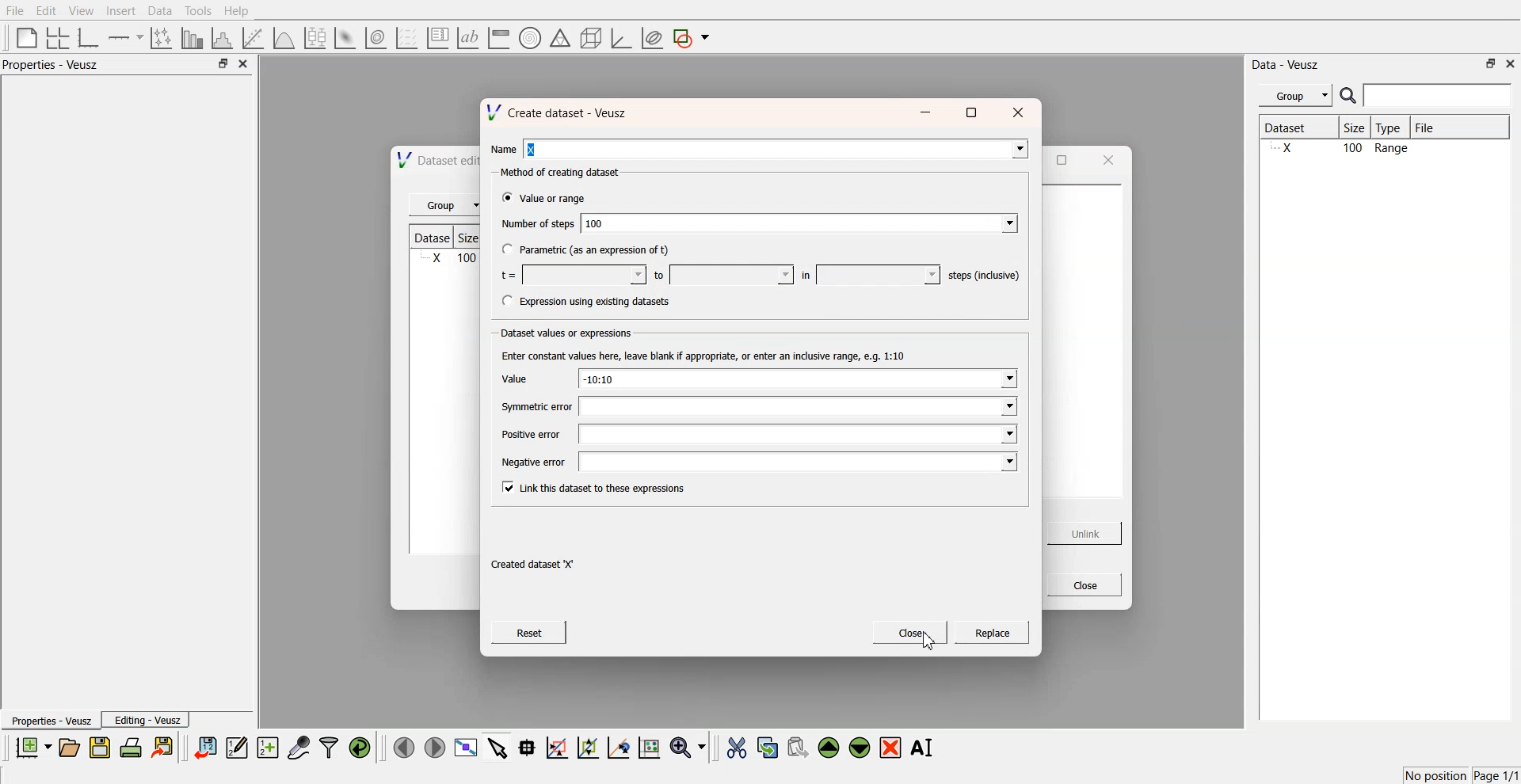 The height and width of the screenshot is (784, 1521). I want to click on plot a boxplot, so click(314, 36).